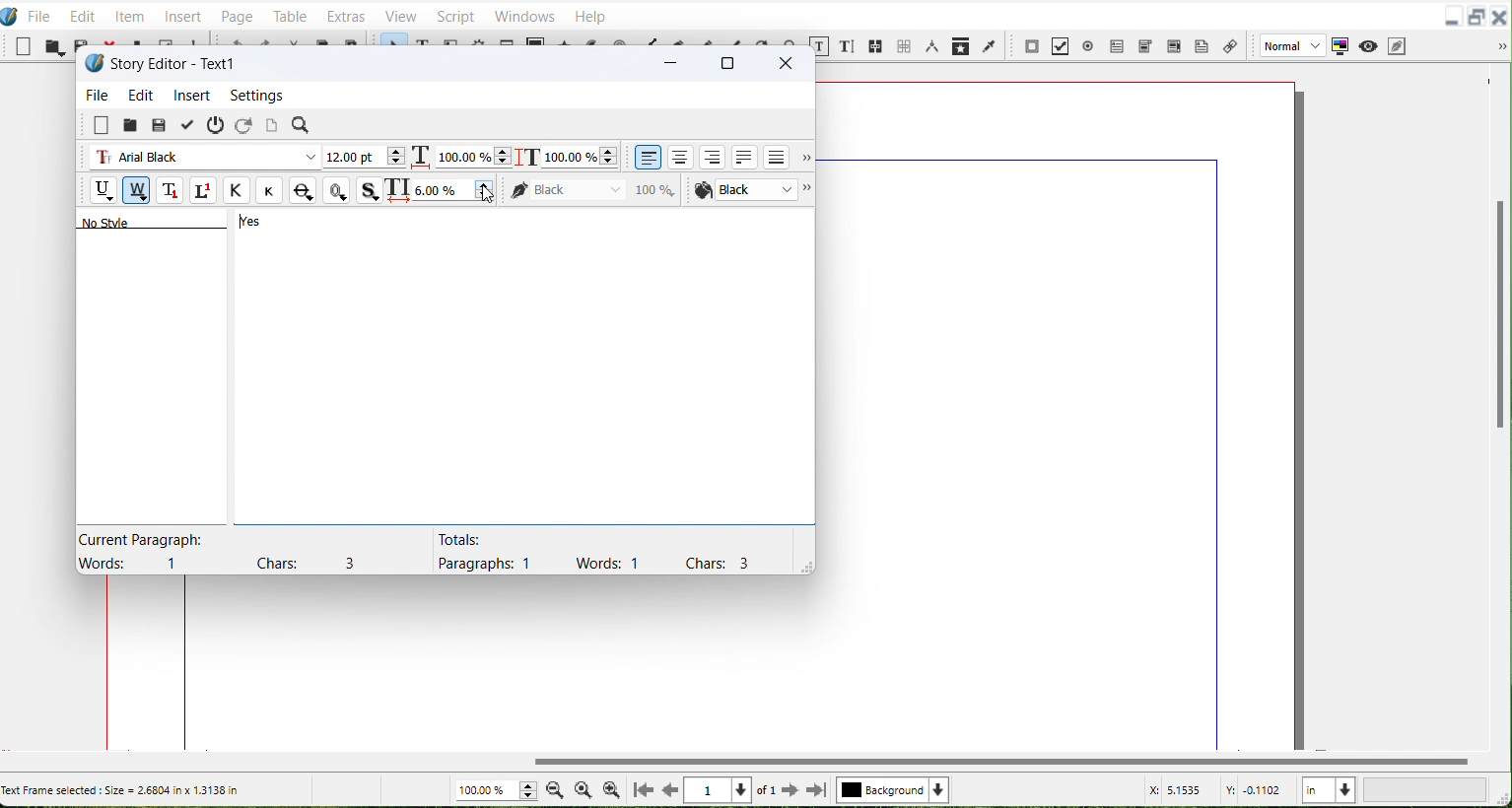 This screenshot has height=808, width=1512. What do you see at coordinates (183, 15) in the screenshot?
I see `Insert` at bounding box center [183, 15].